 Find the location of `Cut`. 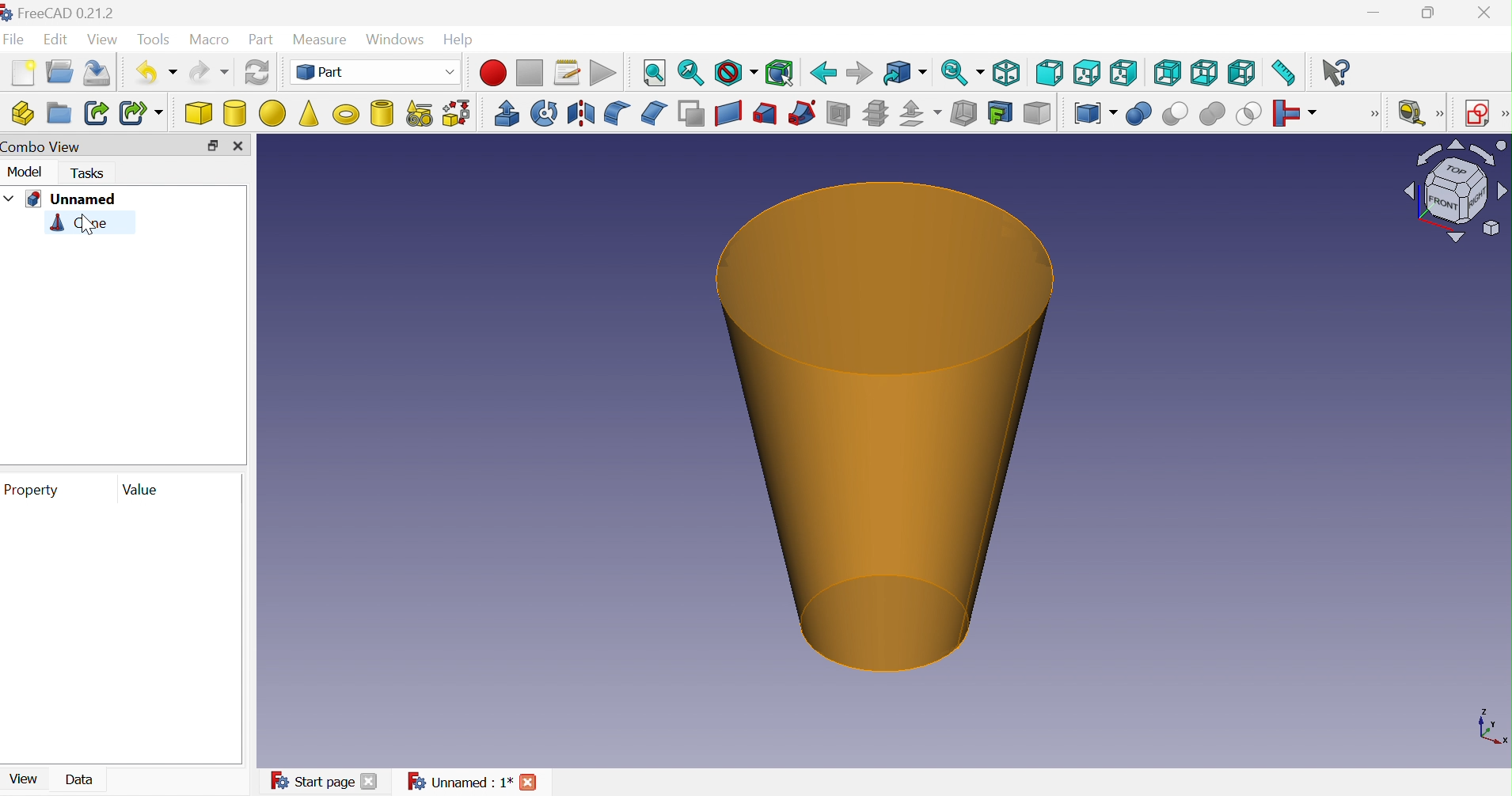

Cut is located at coordinates (1174, 115).